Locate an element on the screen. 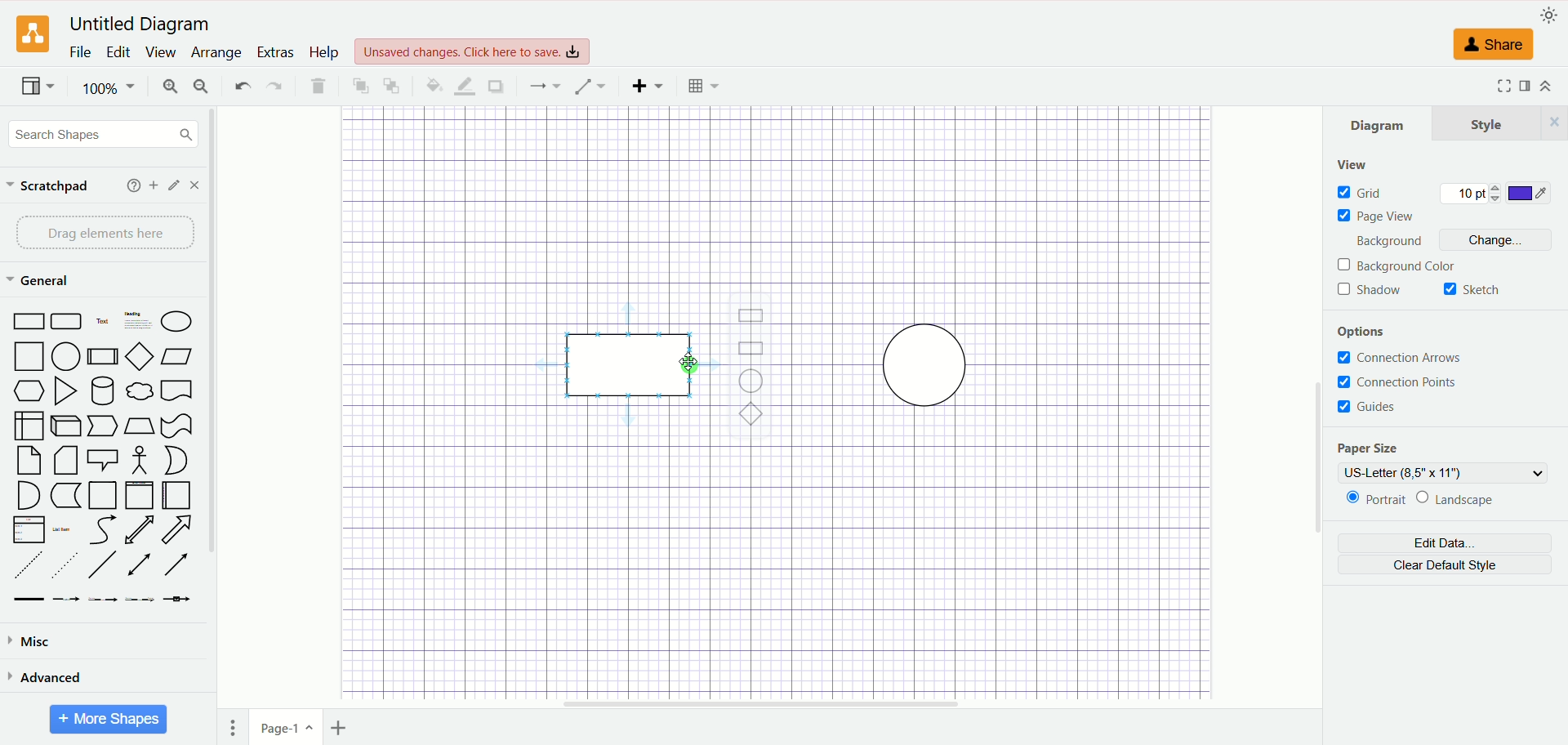  file is located at coordinates (80, 53).